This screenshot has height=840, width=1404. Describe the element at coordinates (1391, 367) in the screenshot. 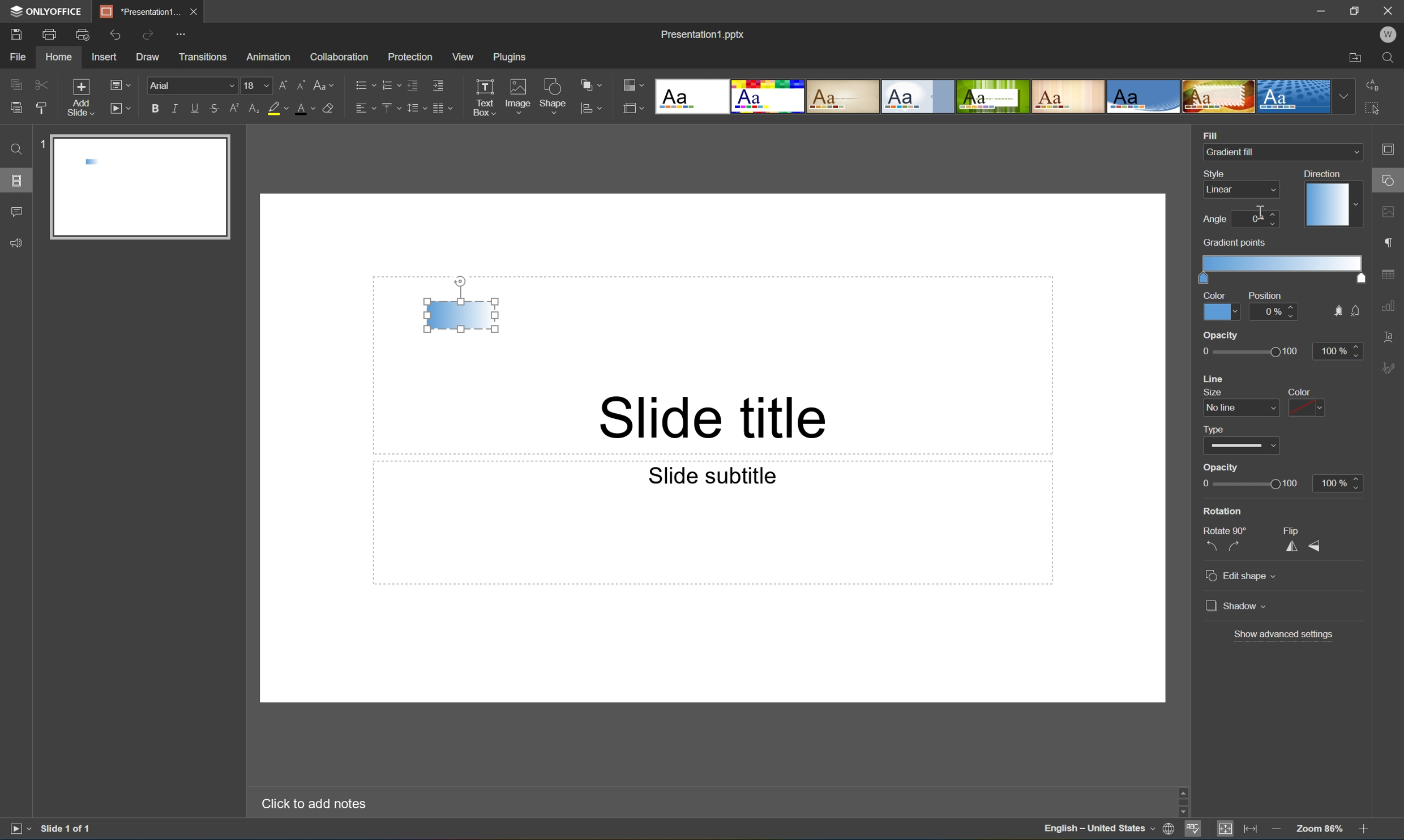

I see `Signature settings` at that location.